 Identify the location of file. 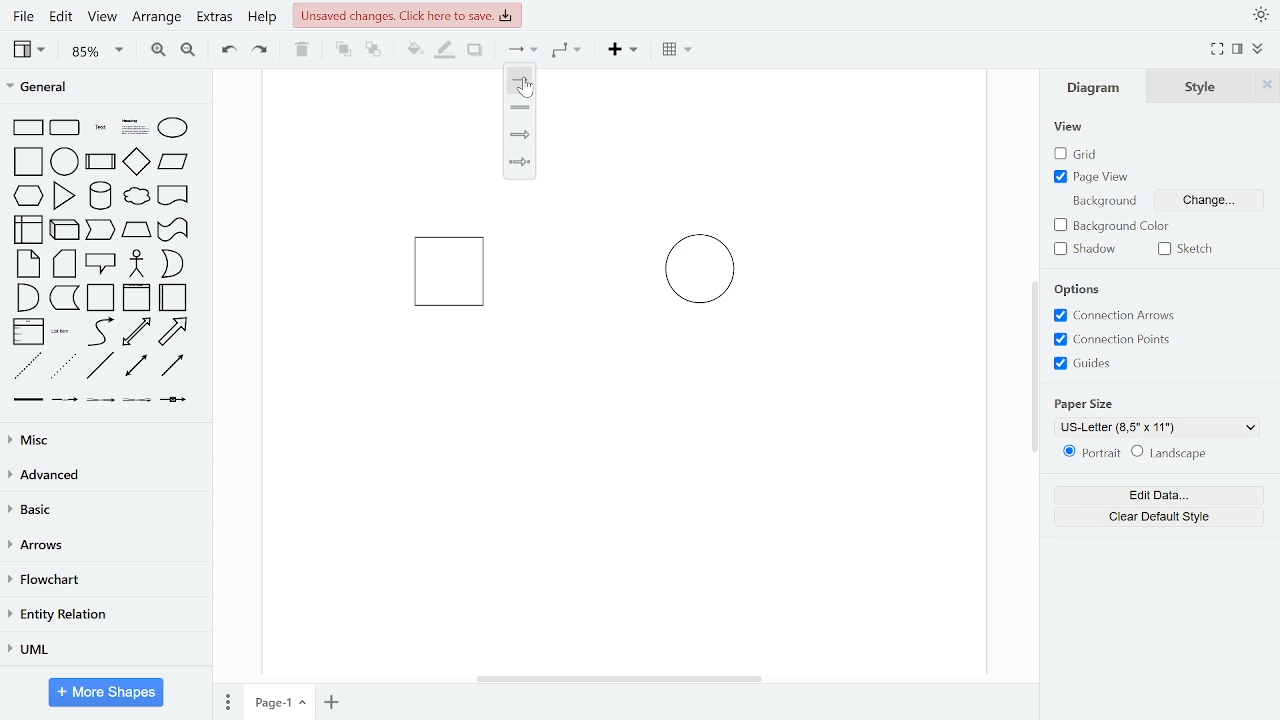
(26, 16).